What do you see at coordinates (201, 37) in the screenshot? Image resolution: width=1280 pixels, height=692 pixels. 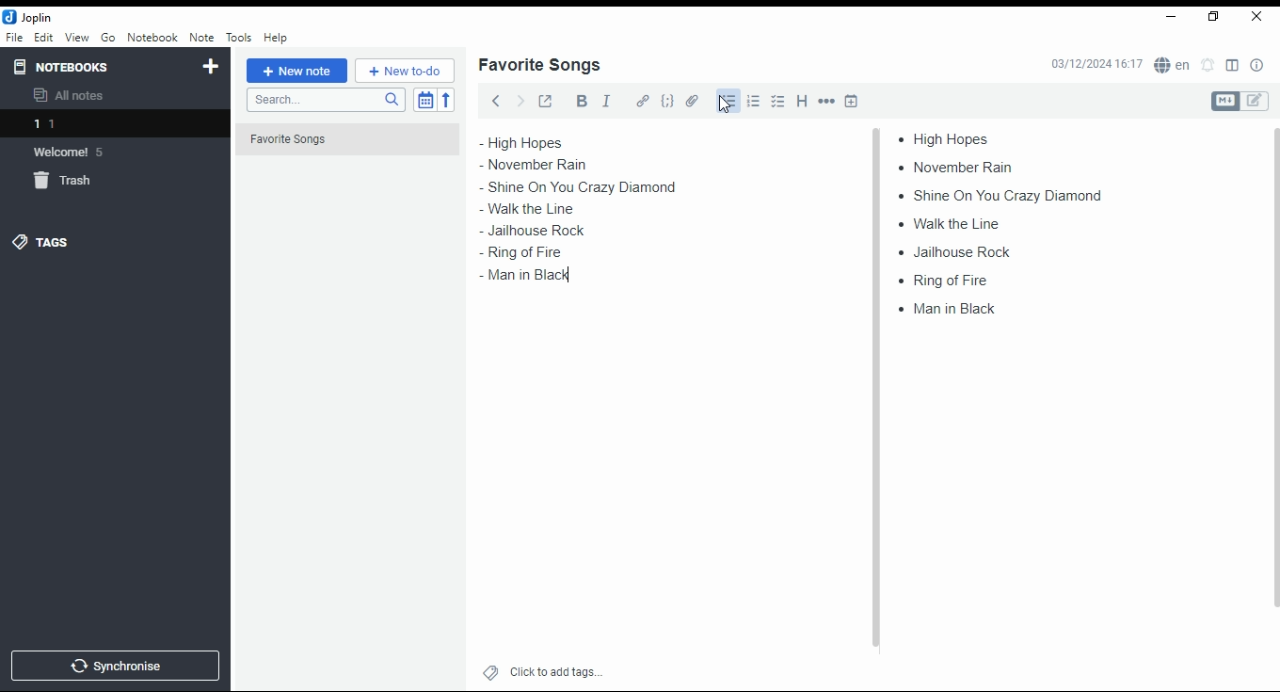 I see `note` at bounding box center [201, 37].